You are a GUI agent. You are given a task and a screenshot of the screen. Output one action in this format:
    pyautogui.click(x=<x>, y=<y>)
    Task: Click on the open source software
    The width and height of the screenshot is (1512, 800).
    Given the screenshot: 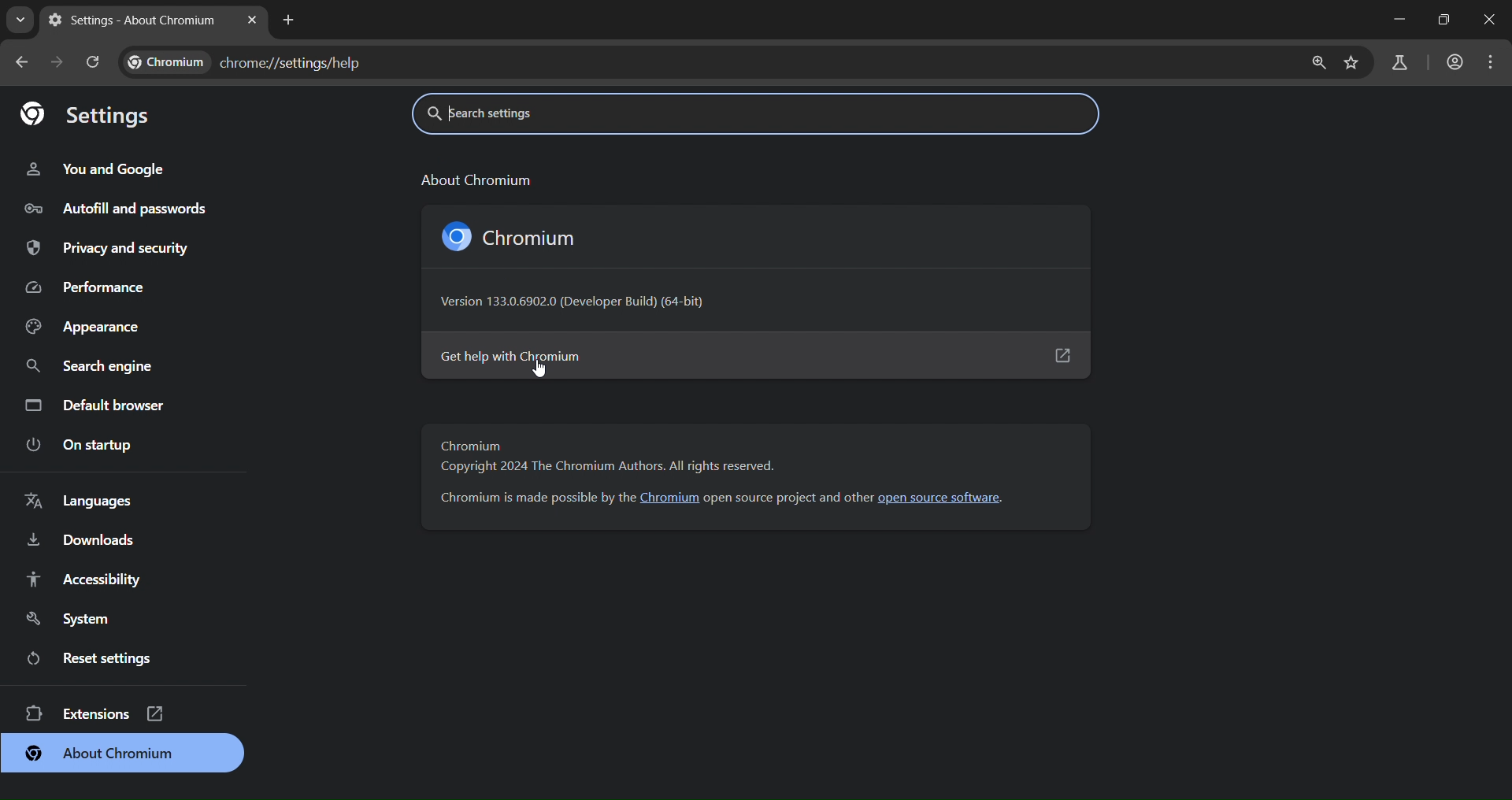 What is the action you would take?
    pyautogui.click(x=947, y=498)
    